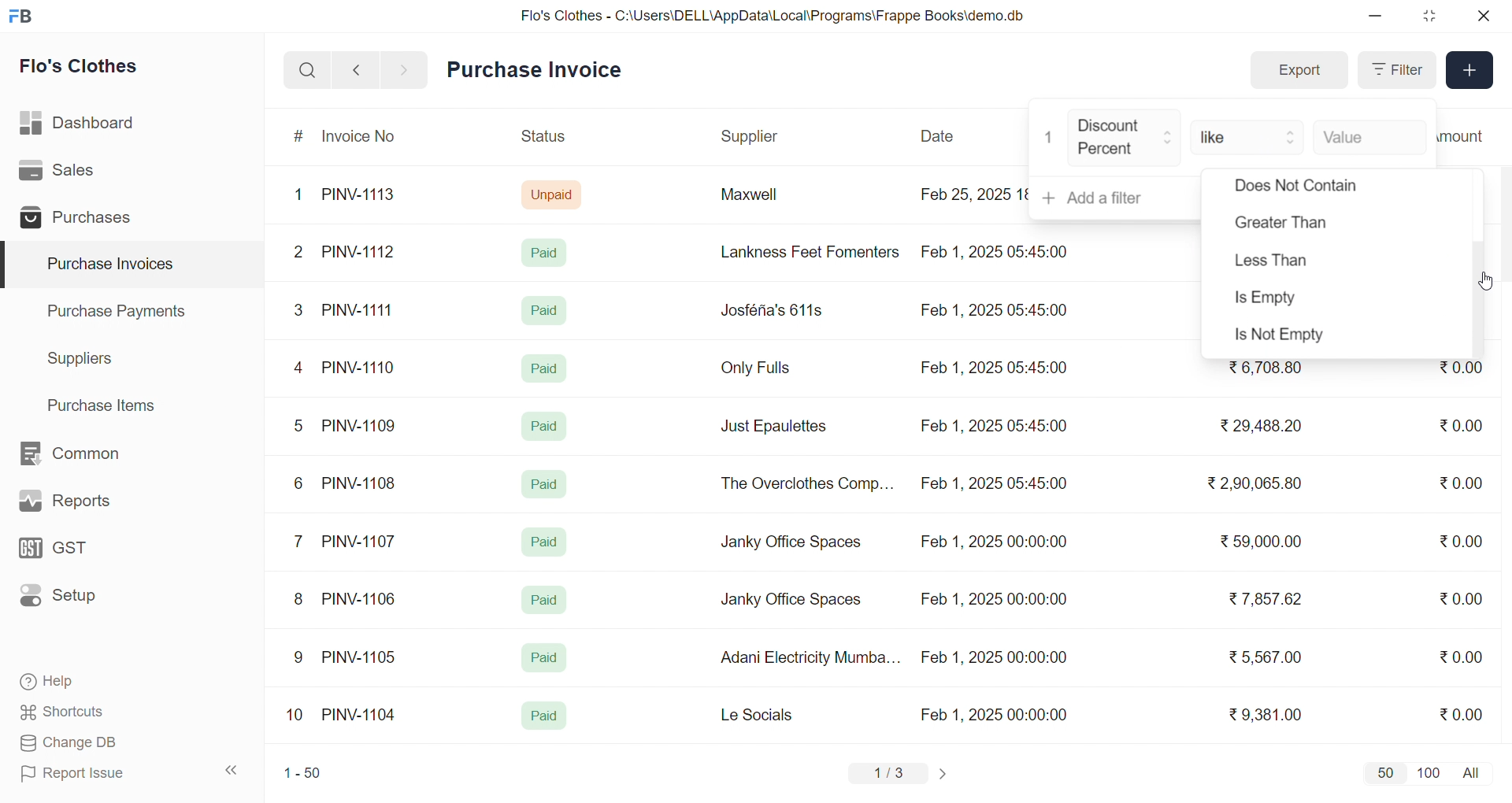  Describe the element at coordinates (767, 200) in the screenshot. I see `Maxwell` at that location.